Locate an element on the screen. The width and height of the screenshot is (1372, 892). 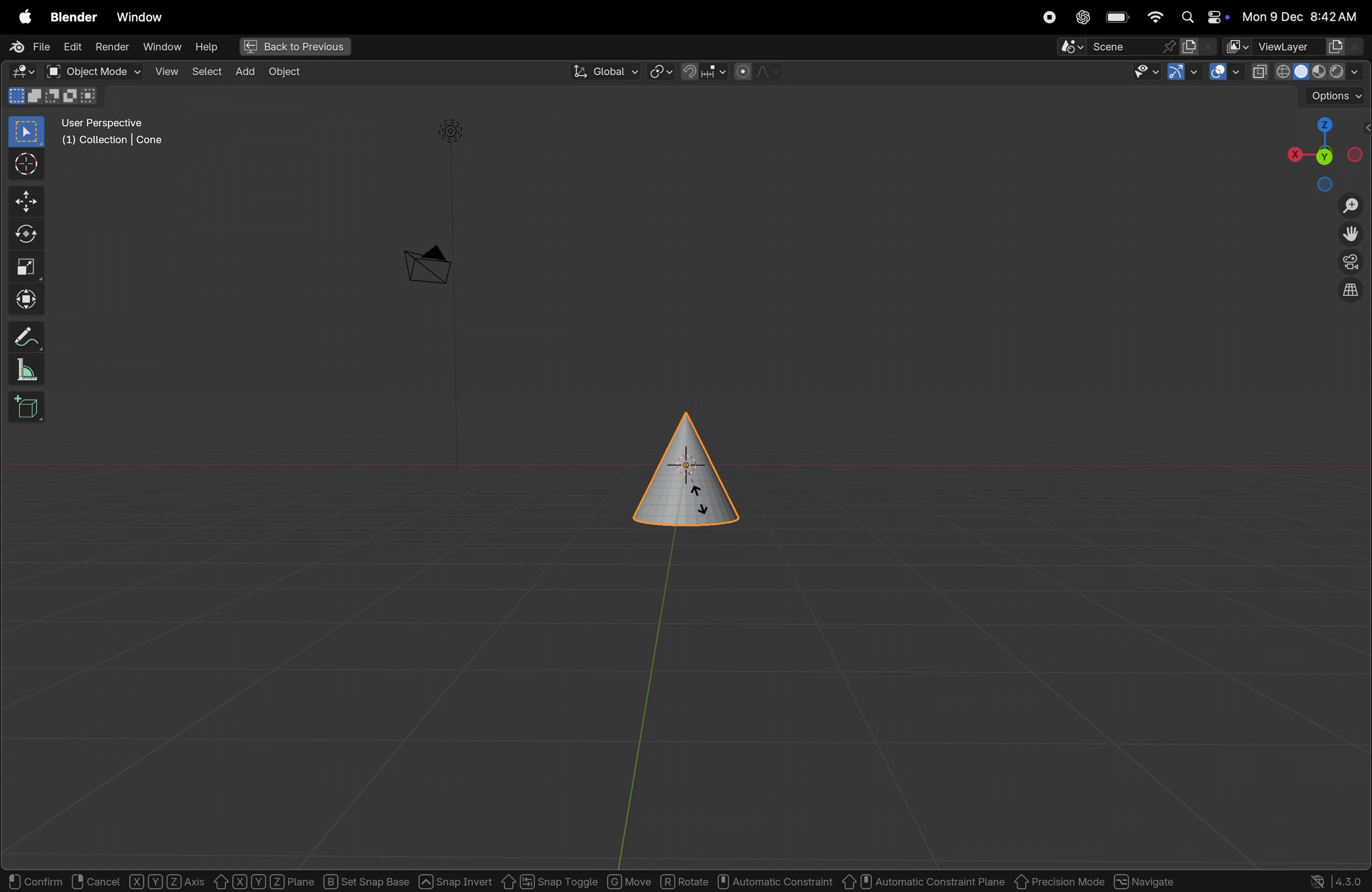
global is located at coordinates (605, 71).